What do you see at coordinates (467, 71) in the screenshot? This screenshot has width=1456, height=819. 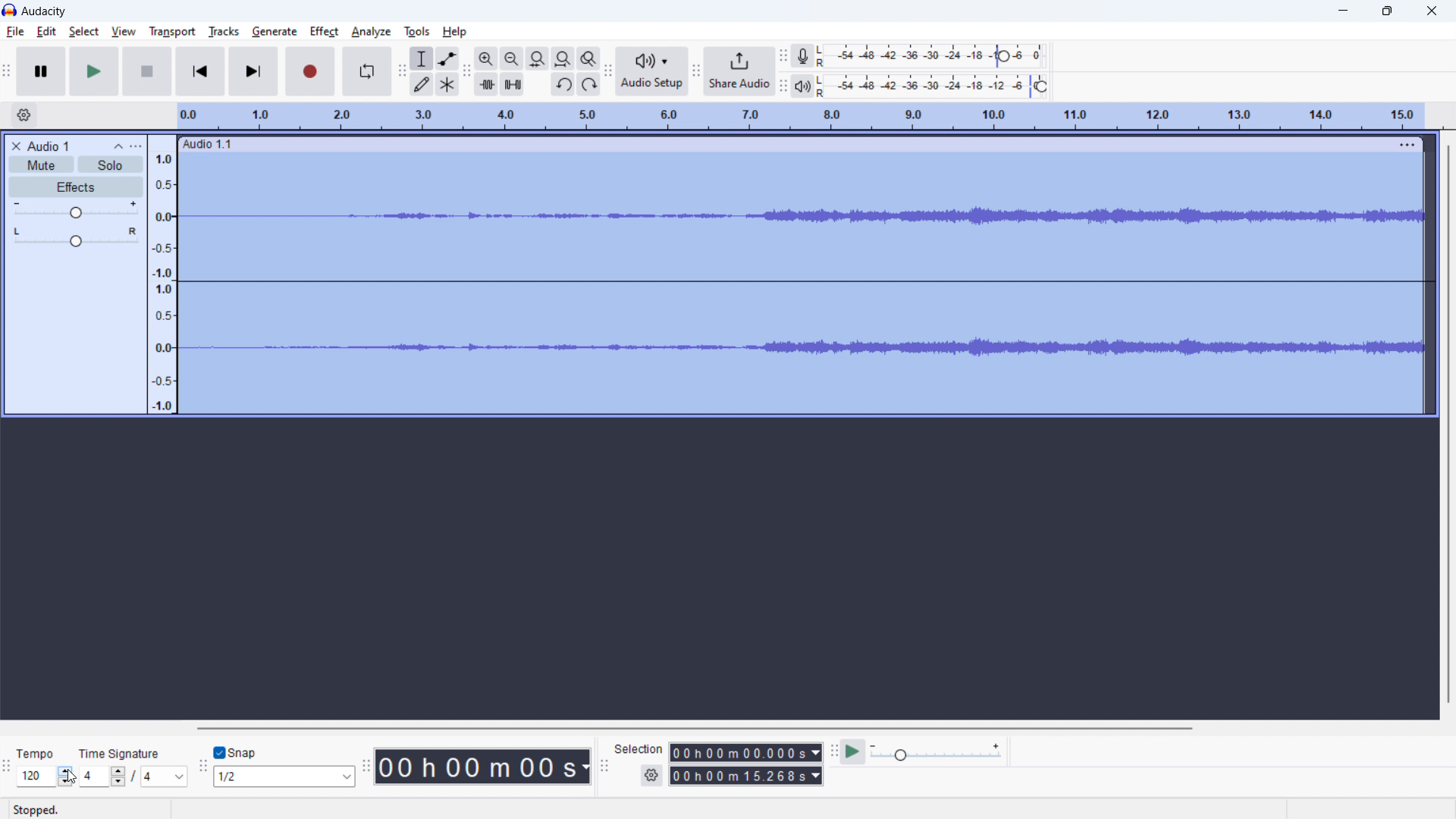 I see `edit toolbar` at bounding box center [467, 71].